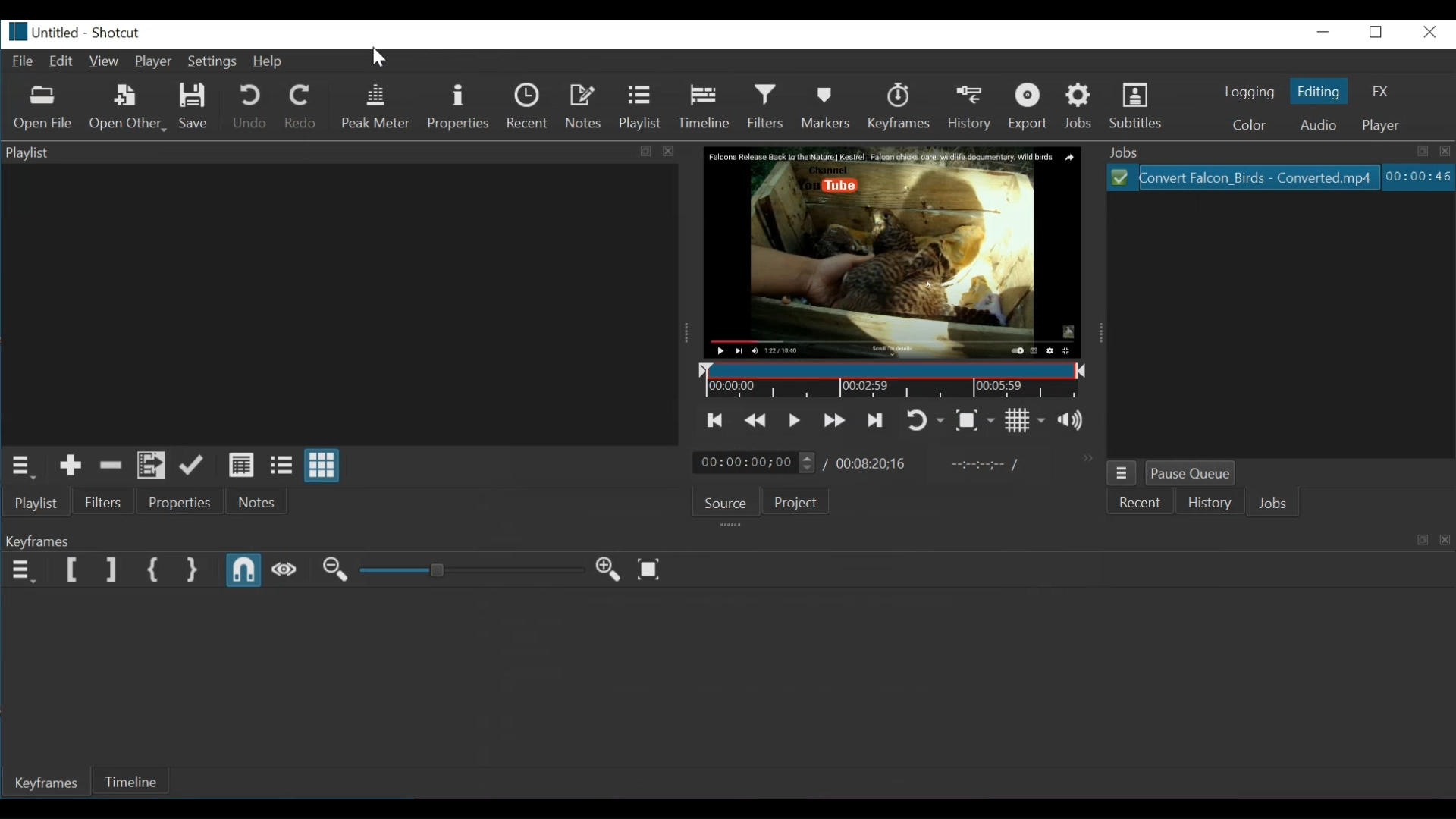 Image resolution: width=1456 pixels, height=819 pixels. Describe the element at coordinates (378, 107) in the screenshot. I see `Peak Meter` at that location.